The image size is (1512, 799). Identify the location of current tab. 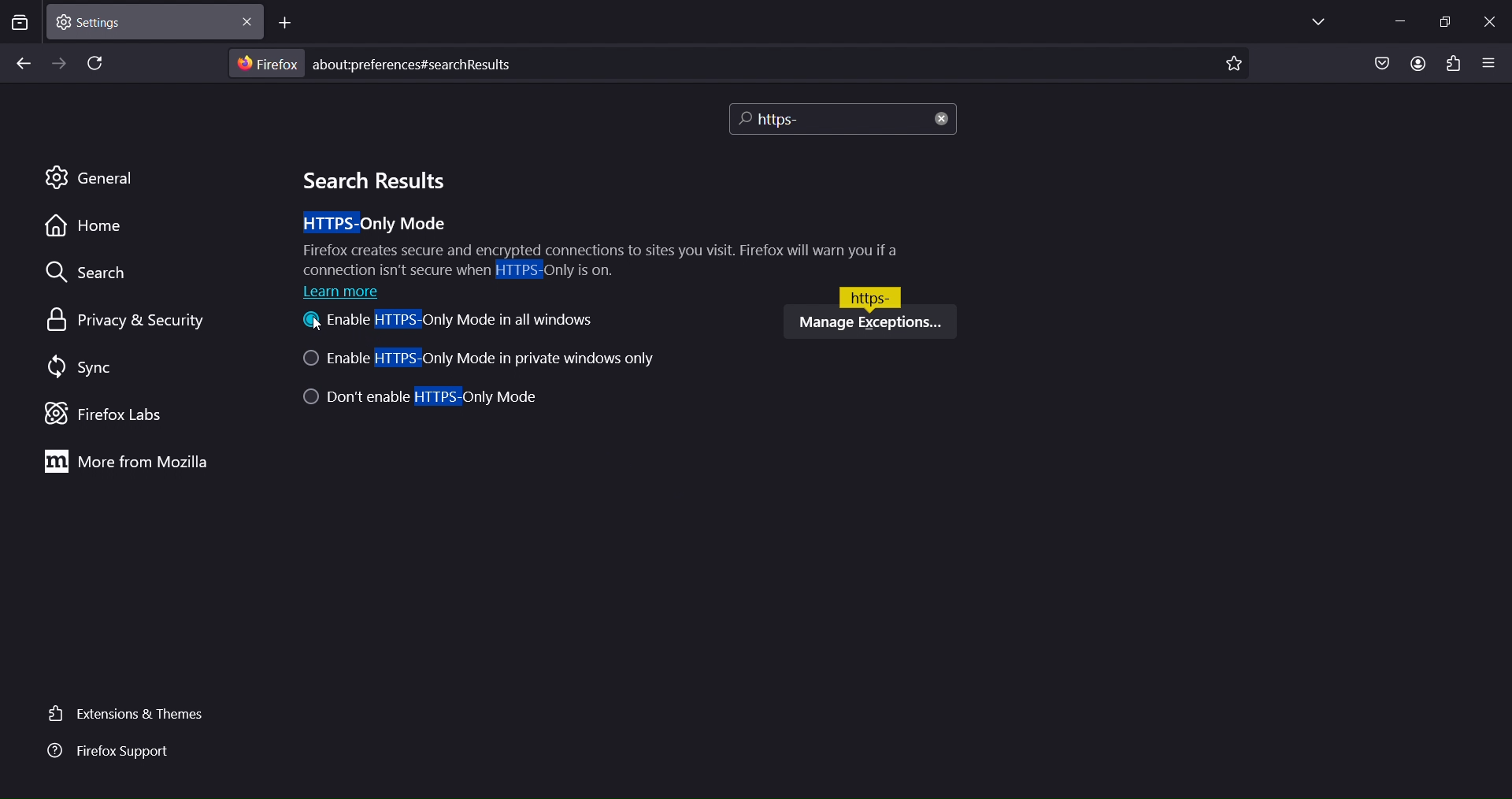
(152, 22).